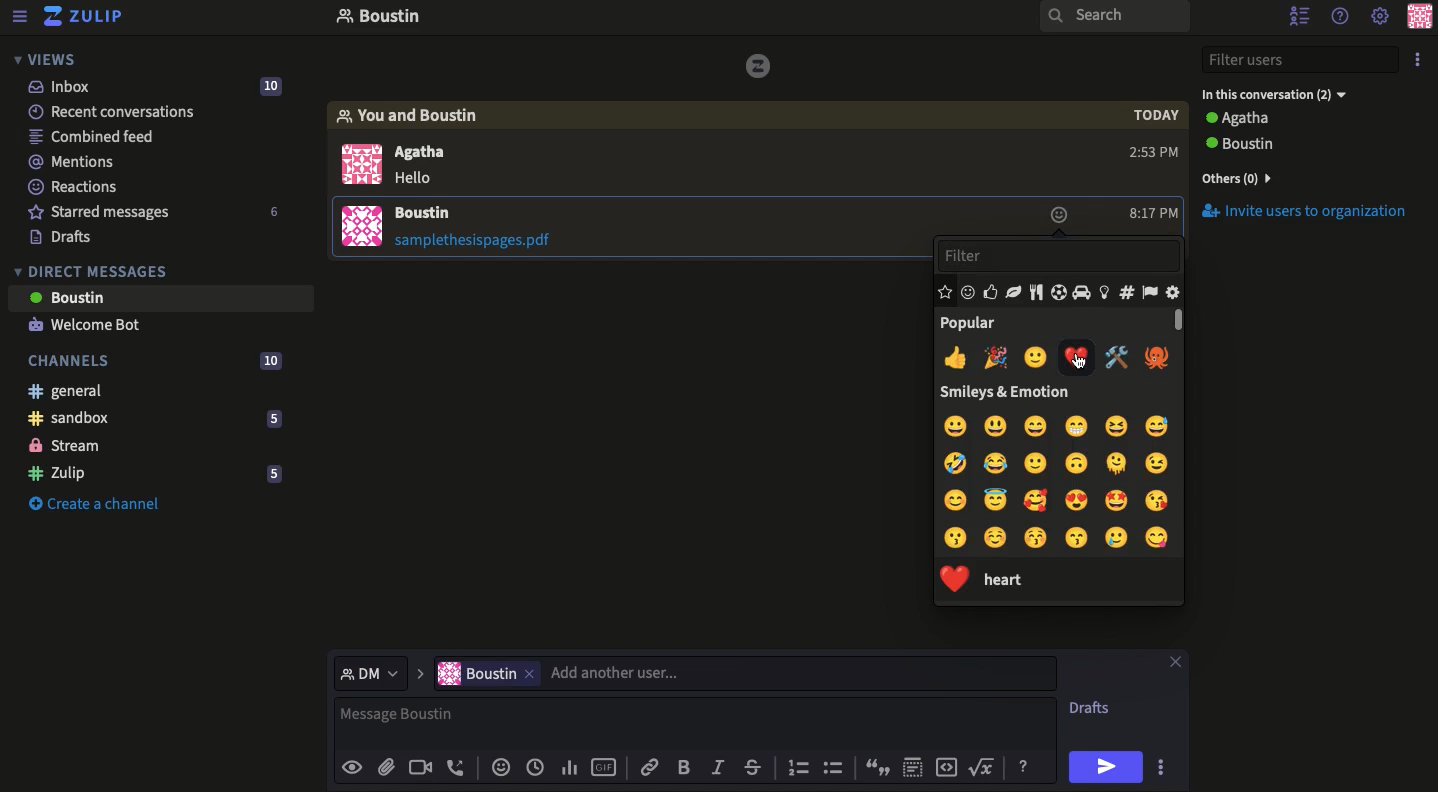  Describe the element at coordinates (1117, 359) in the screenshot. I see `repair` at that location.